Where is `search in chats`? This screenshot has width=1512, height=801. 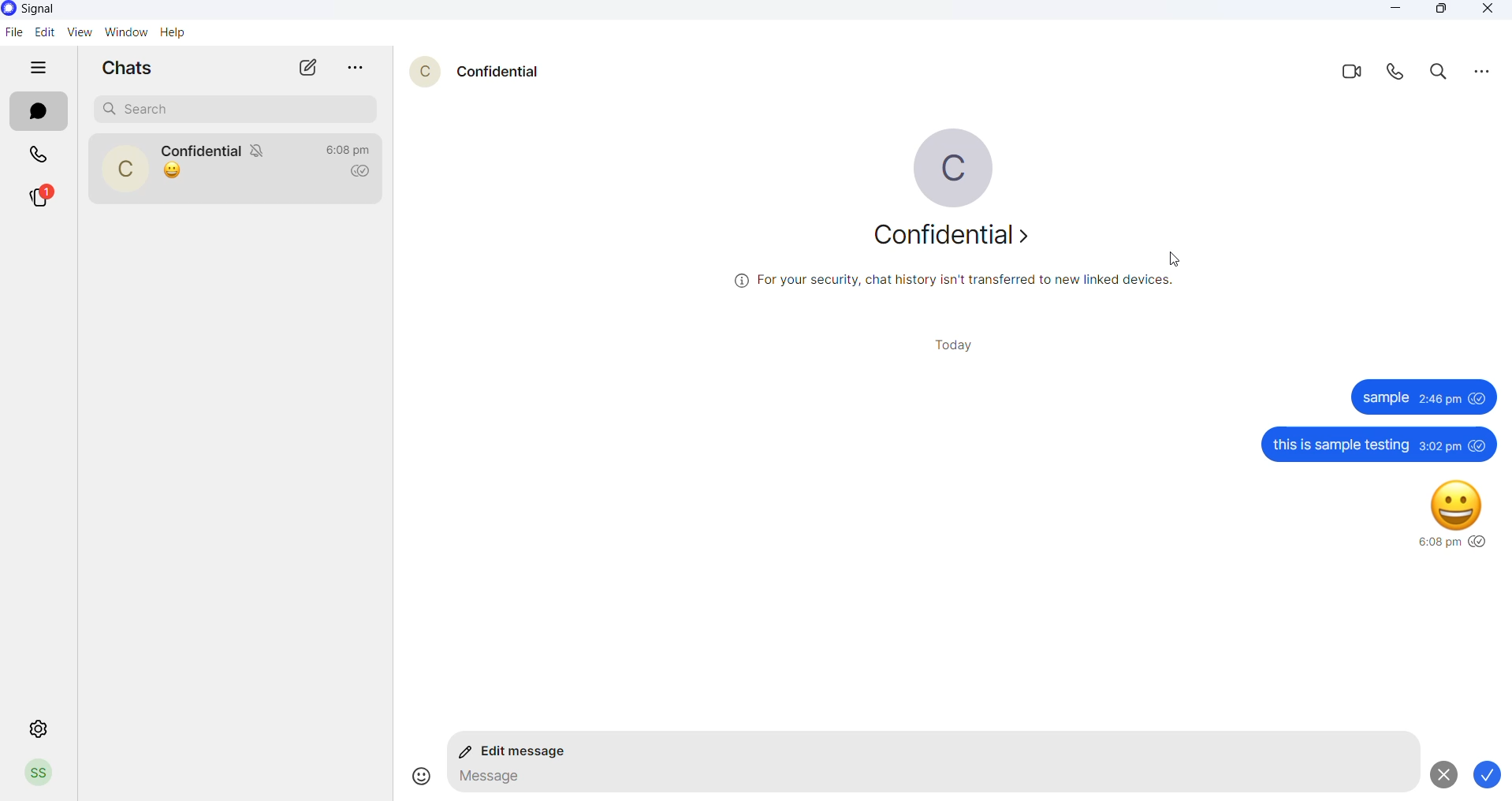
search in chats is located at coordinates (1439, 74).